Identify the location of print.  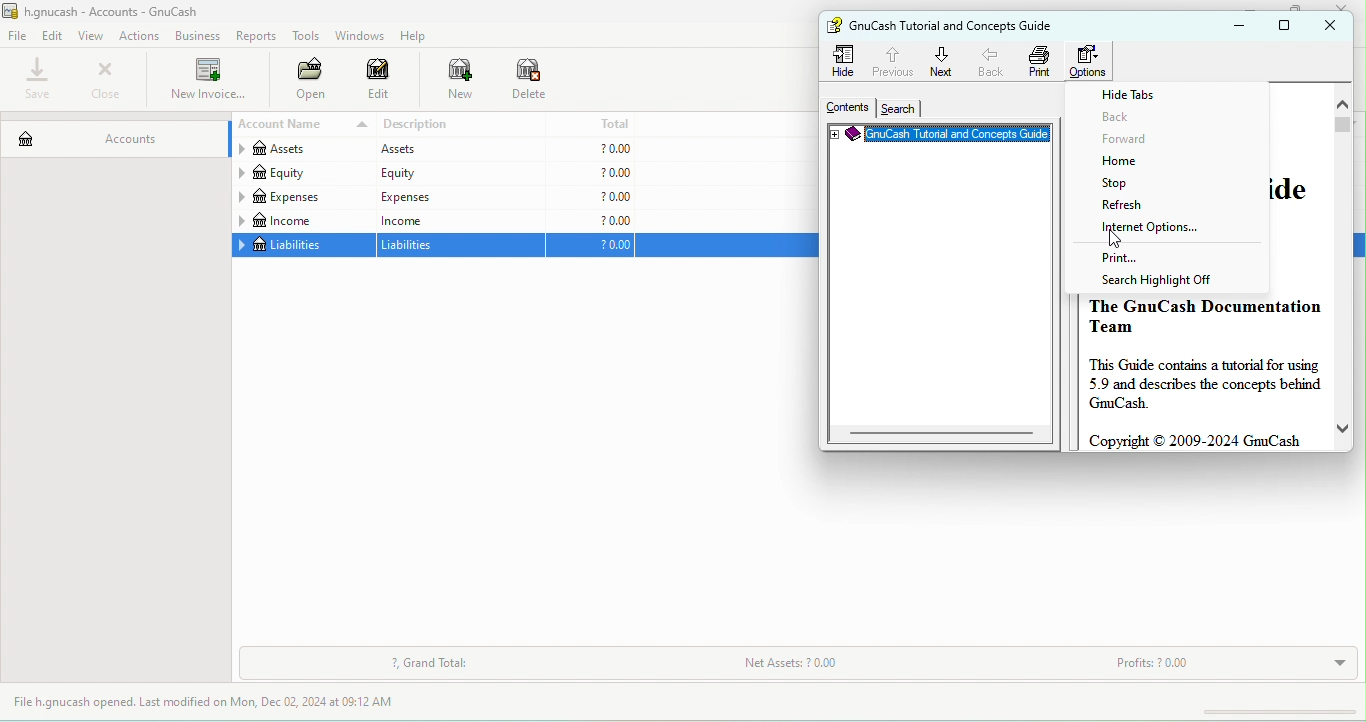
(1040, 61).